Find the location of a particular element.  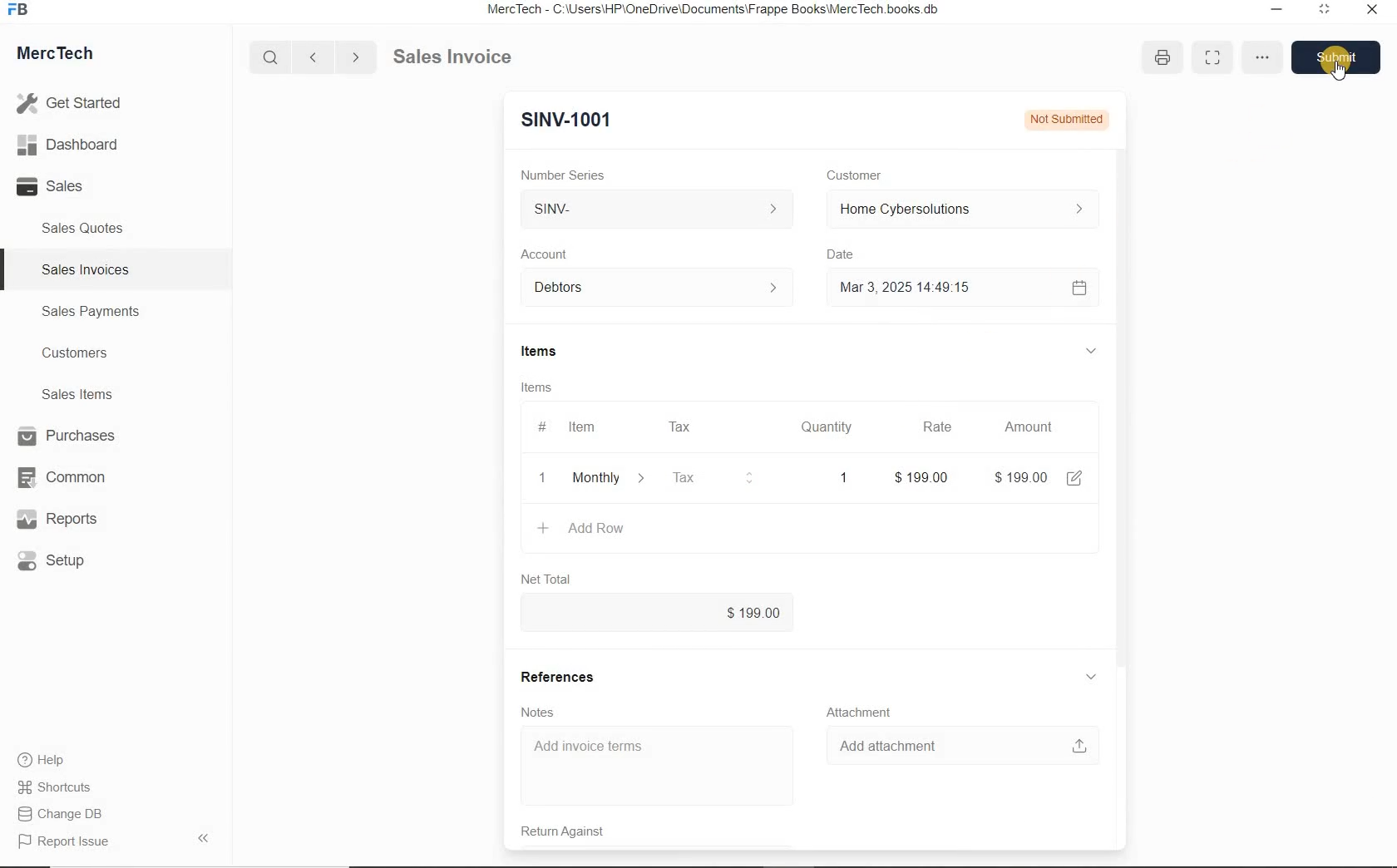

Home Cyber Solutions is located at coordinates (961, 210).